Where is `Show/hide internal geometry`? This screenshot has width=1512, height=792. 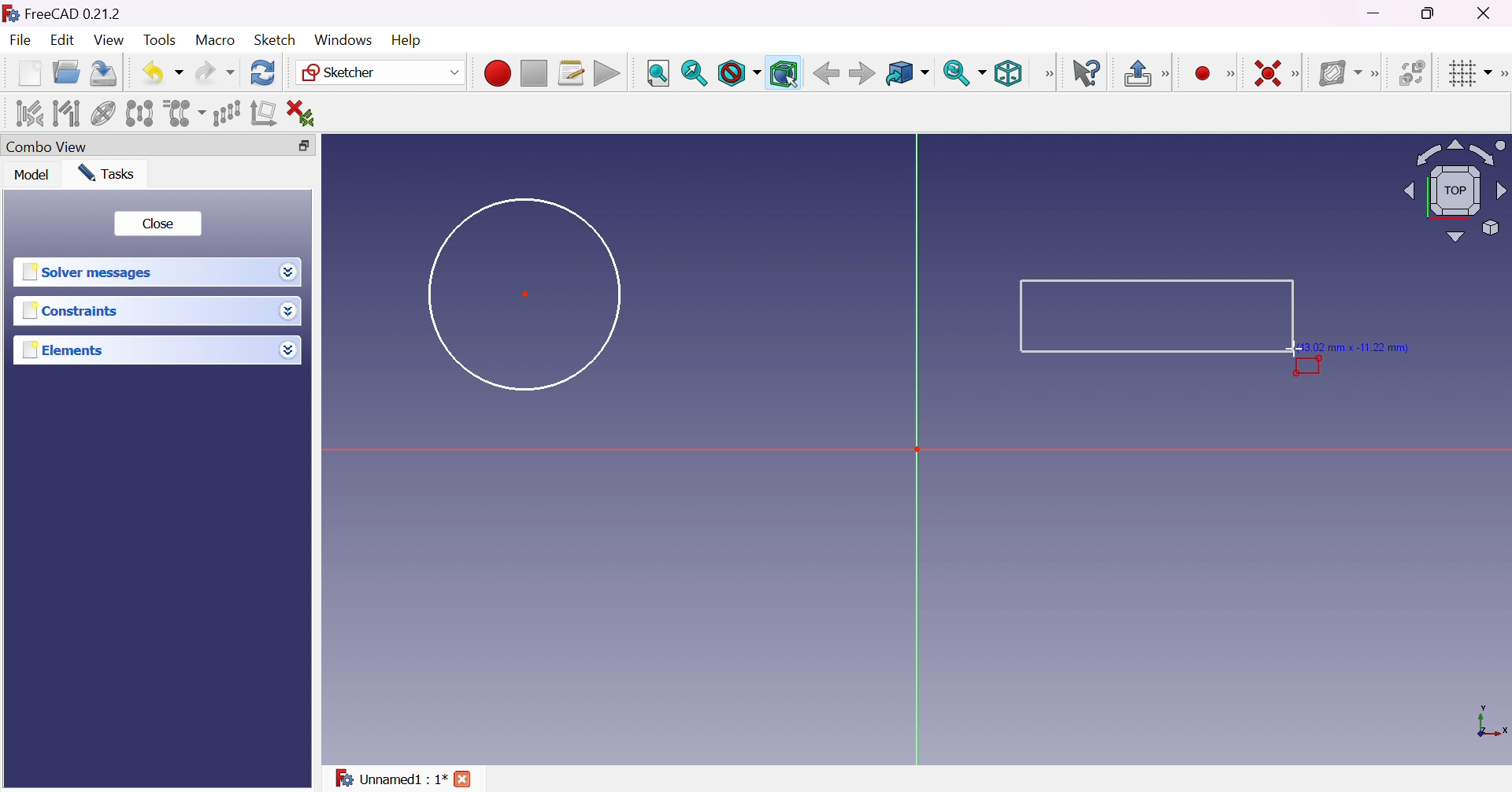
Show/hide internal geometry is located at coordinates (105, 115).